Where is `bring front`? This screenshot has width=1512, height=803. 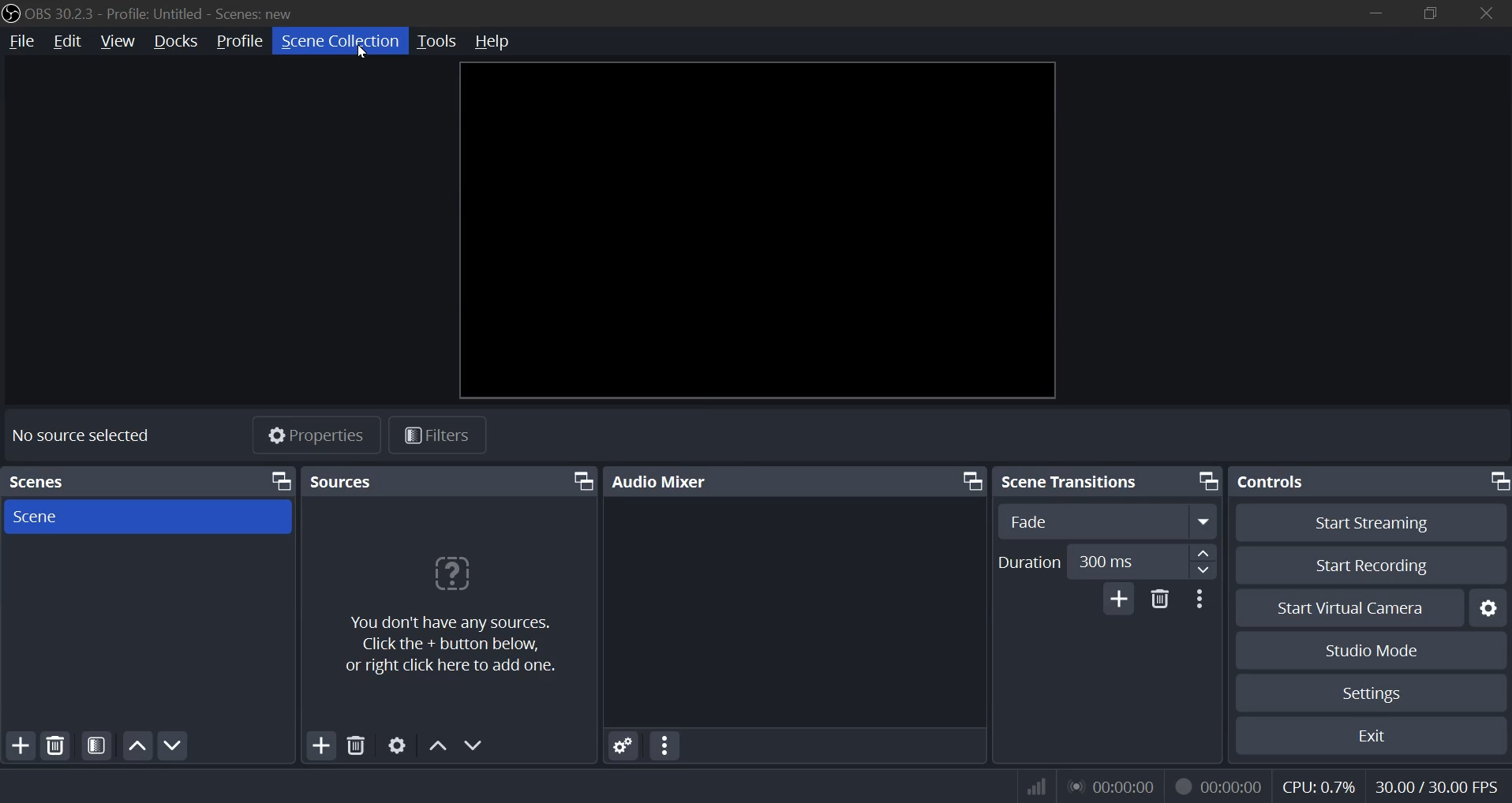
bring front is located at coordinates (1498, 481).